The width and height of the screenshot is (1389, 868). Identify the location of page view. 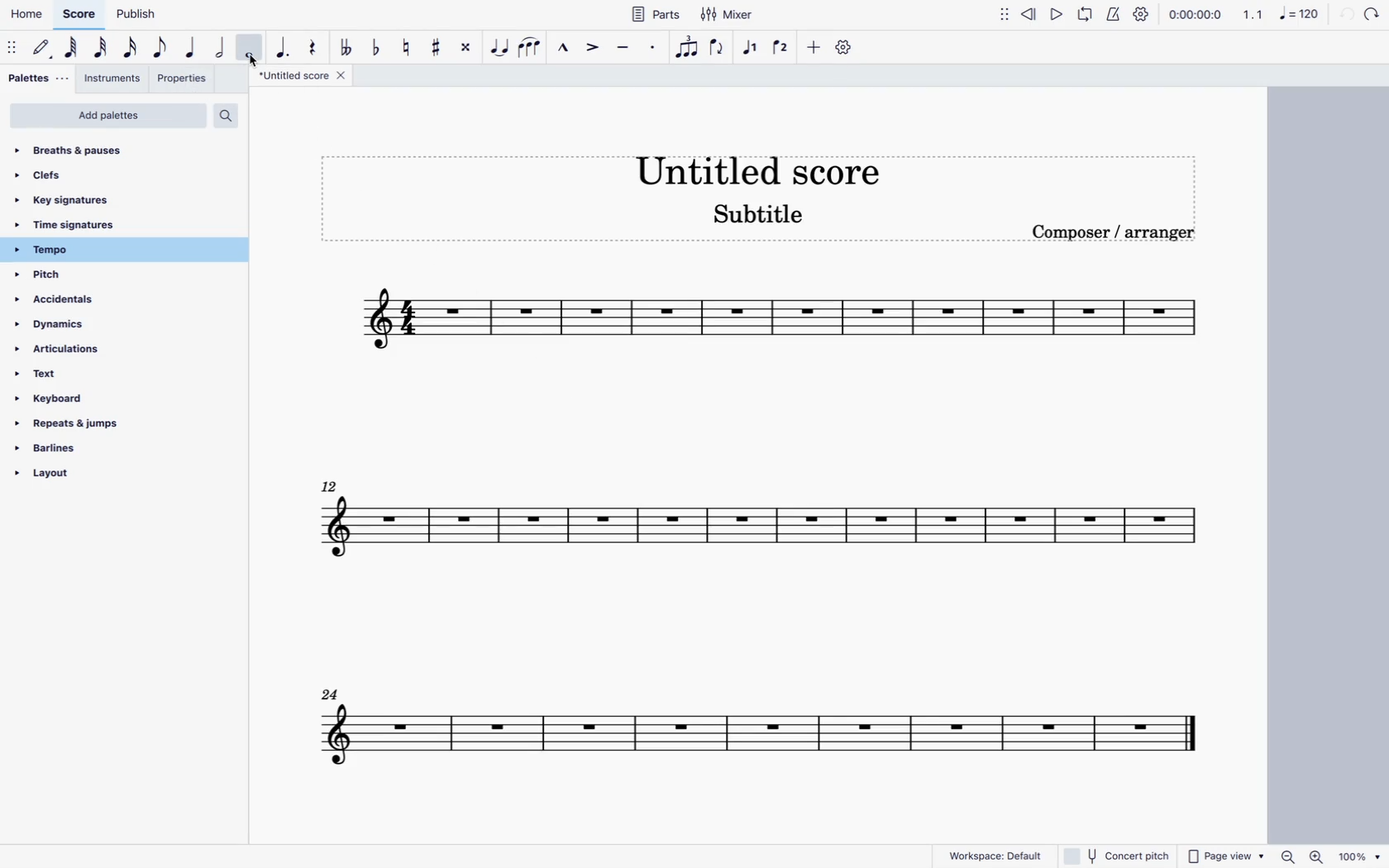
(1228, 855).